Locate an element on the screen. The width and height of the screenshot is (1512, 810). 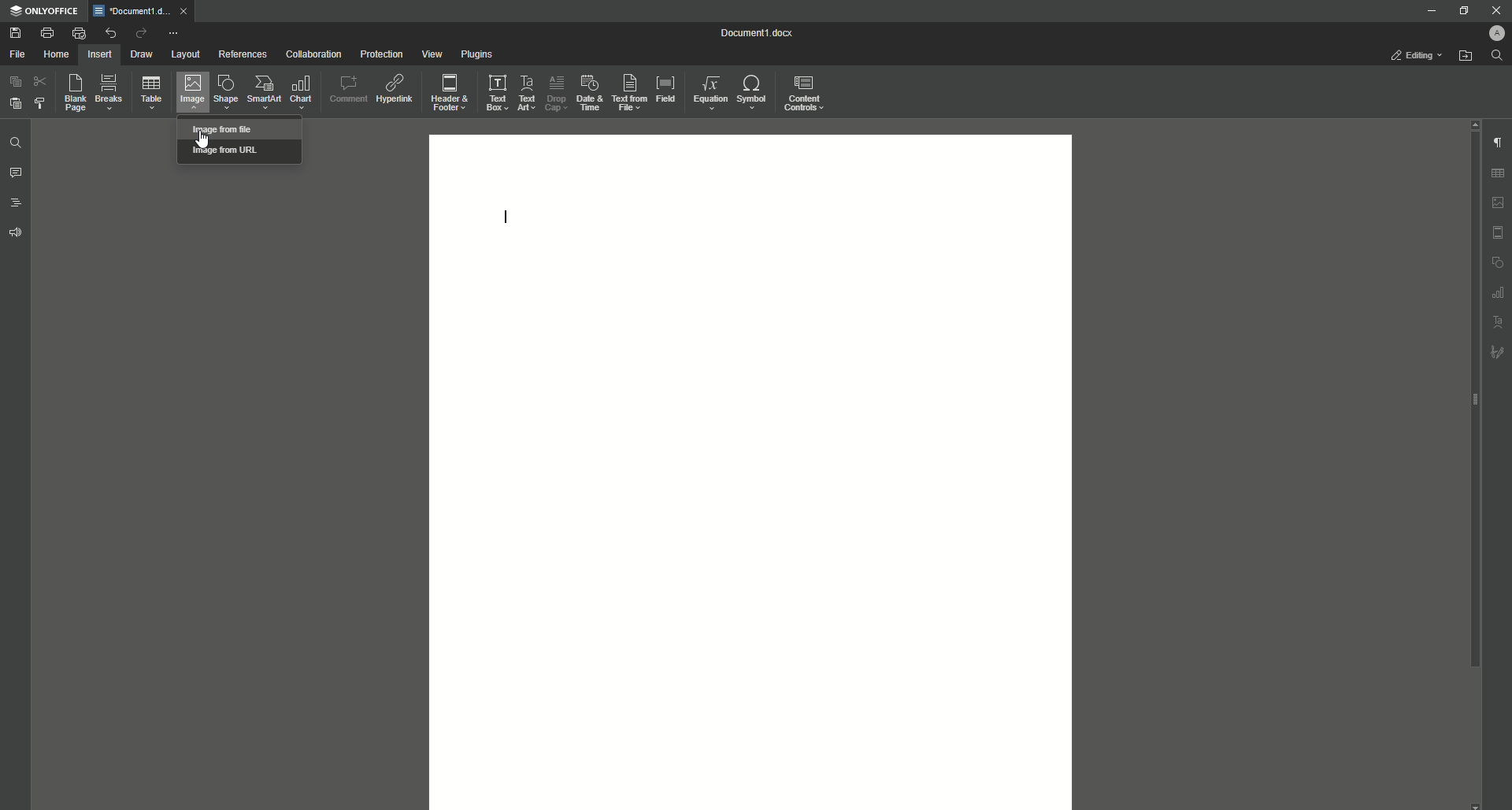
Header/Footer is located at coordinates (1499, 232).